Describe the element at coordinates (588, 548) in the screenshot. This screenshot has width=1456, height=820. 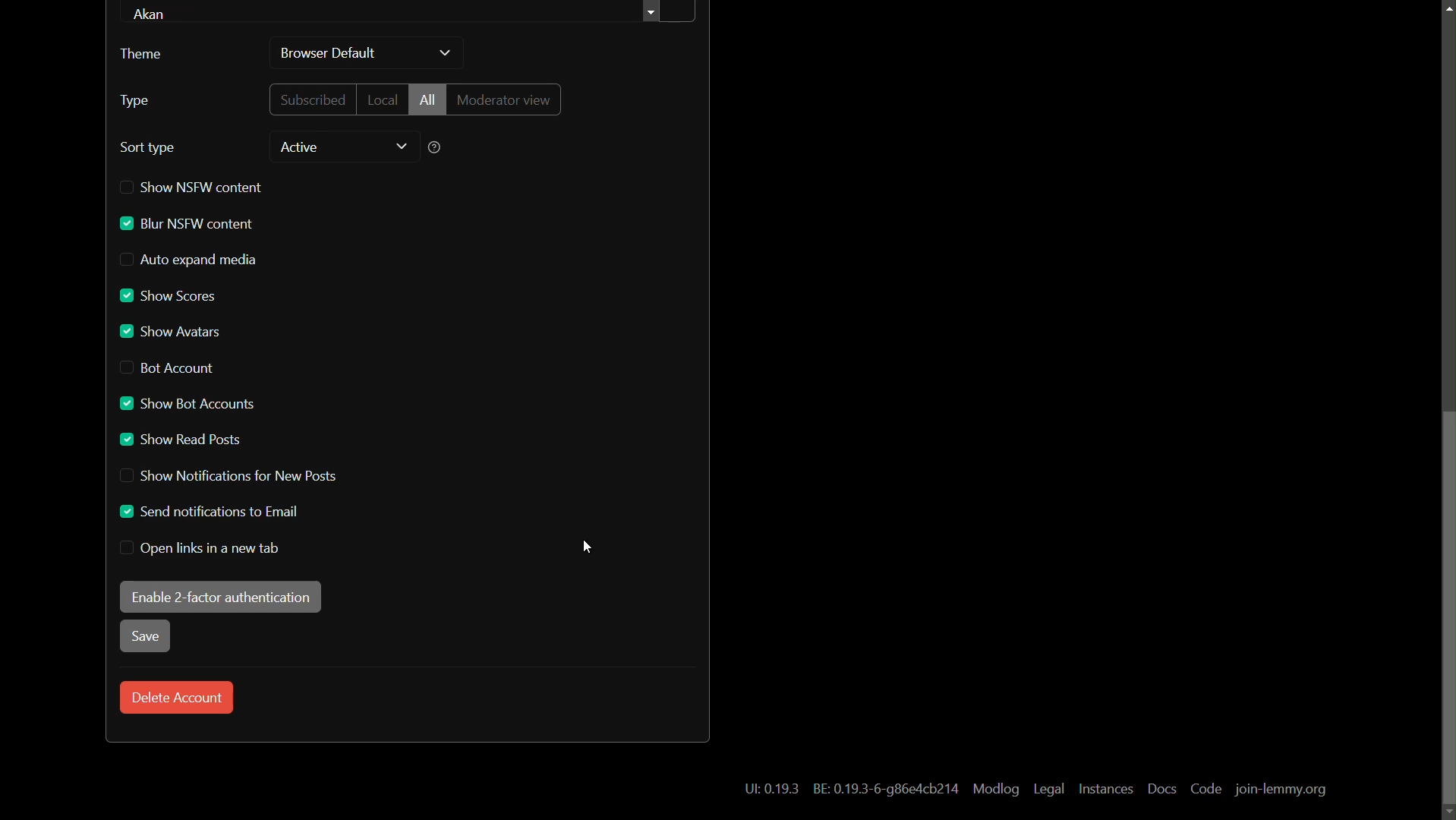
I see `cursor` at that location.